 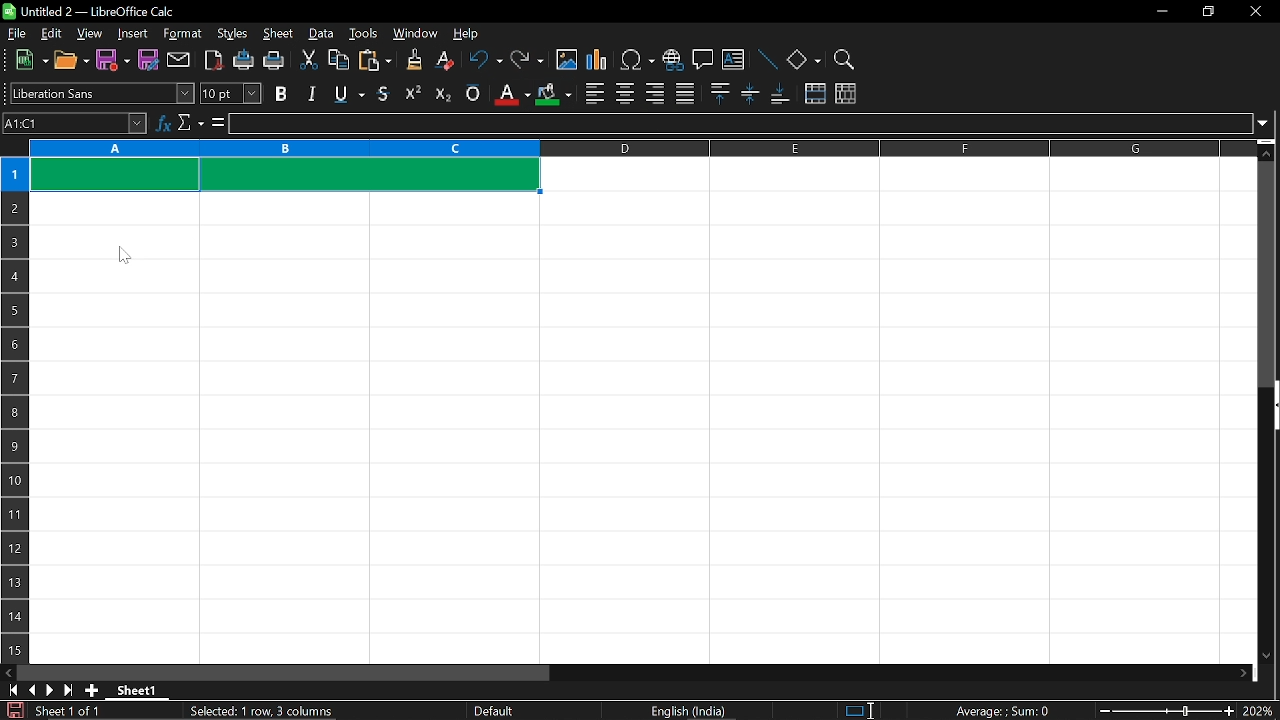 What do you see at coordinates (739, 124) in the screenshot?
I see `input line` at bounding box center [739, 124].